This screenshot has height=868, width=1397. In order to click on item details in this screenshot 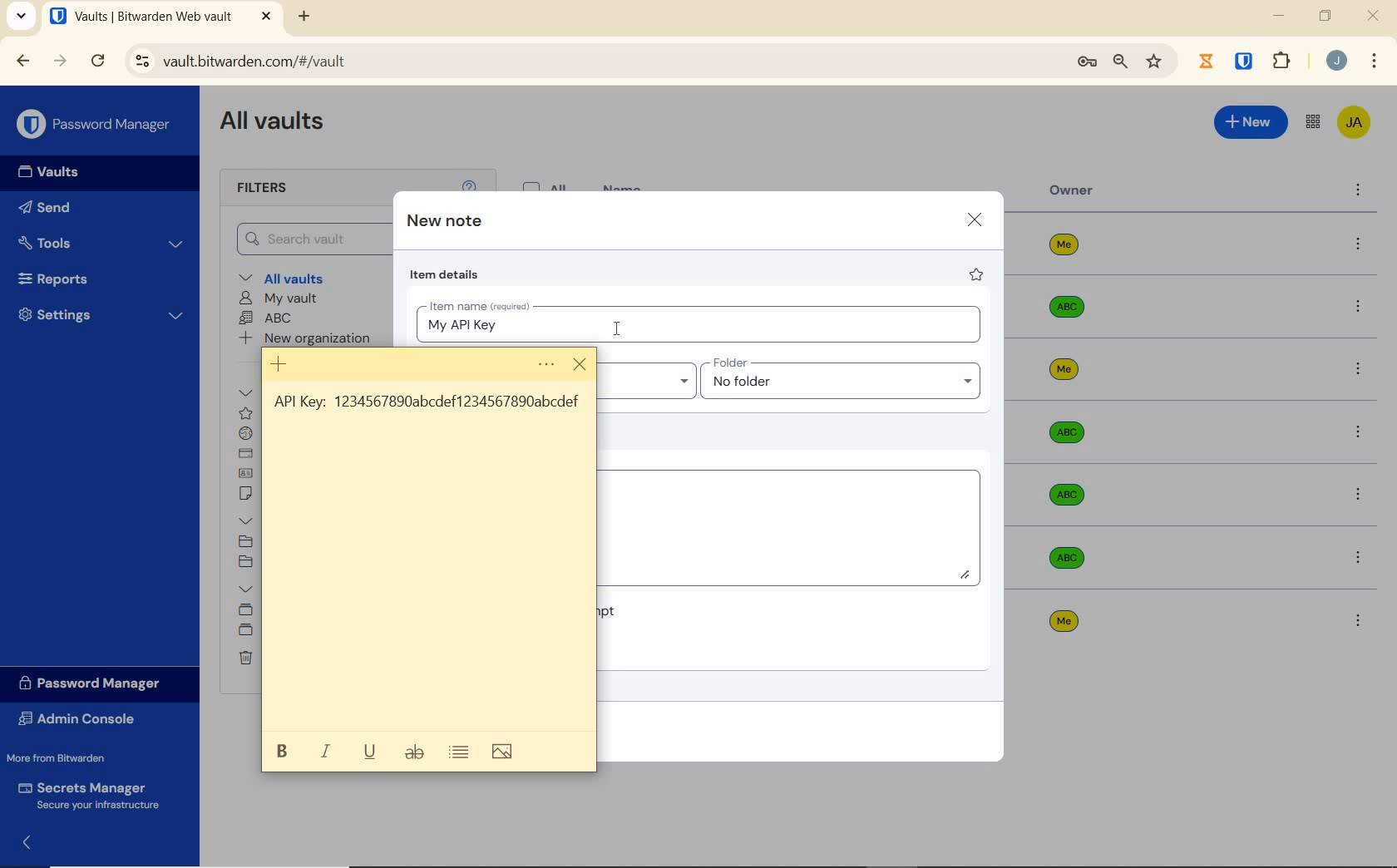, I will do `click(445, 277)`.